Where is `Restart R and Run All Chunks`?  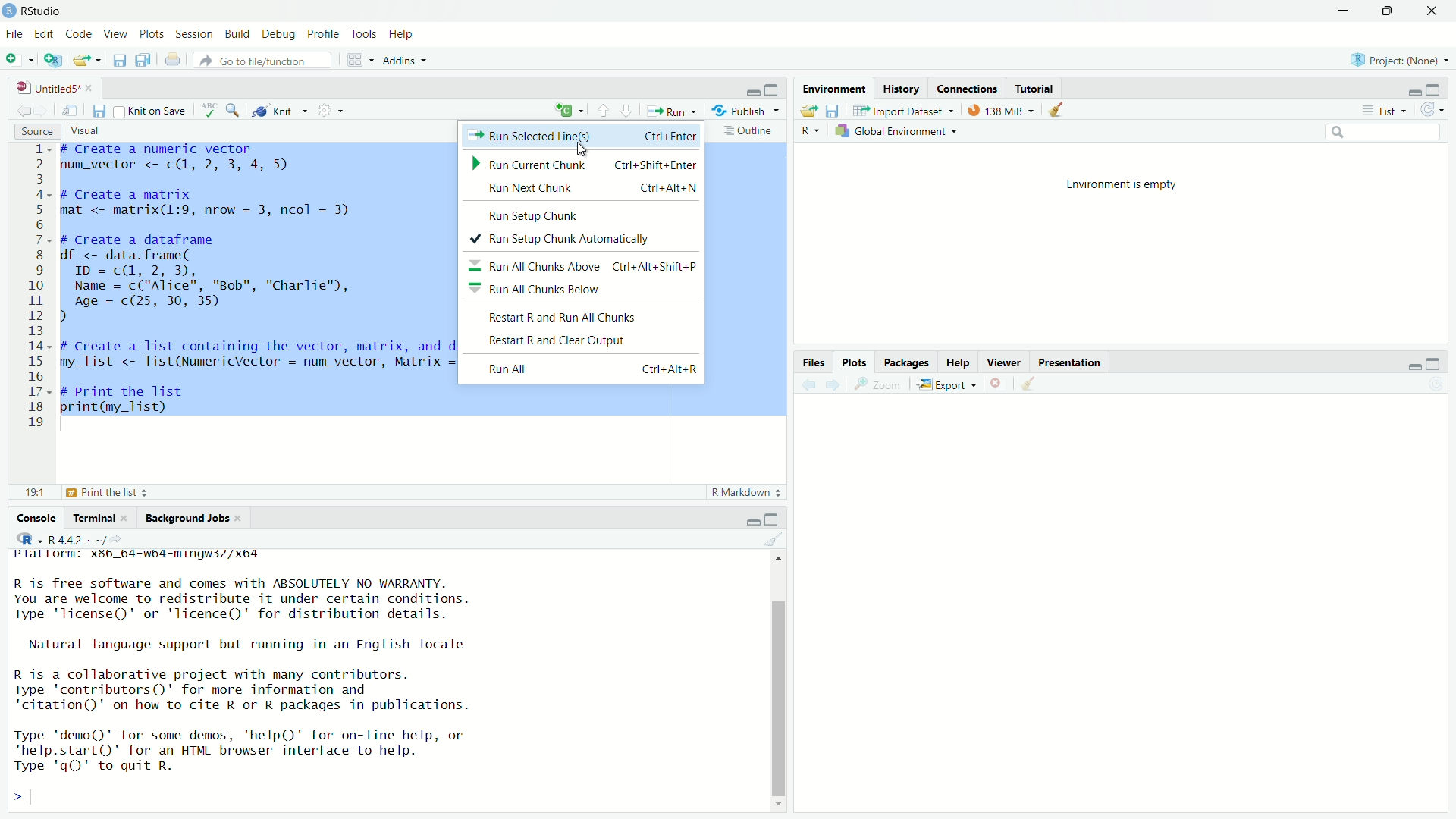 Restart R and Run All Chunks is located at coordinates (563, 317).